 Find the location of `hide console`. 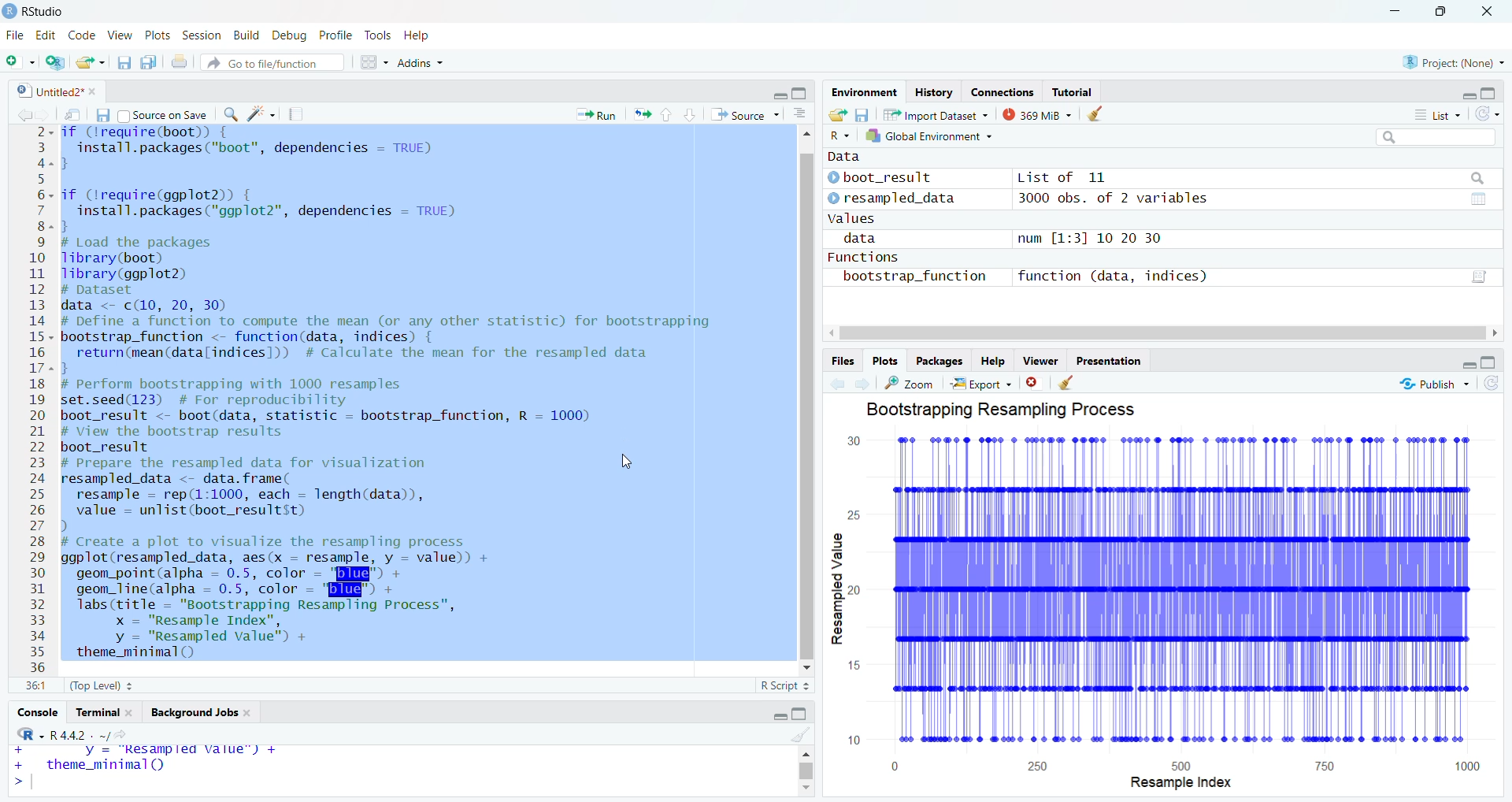

hide console is located at coordinates (804, 94).